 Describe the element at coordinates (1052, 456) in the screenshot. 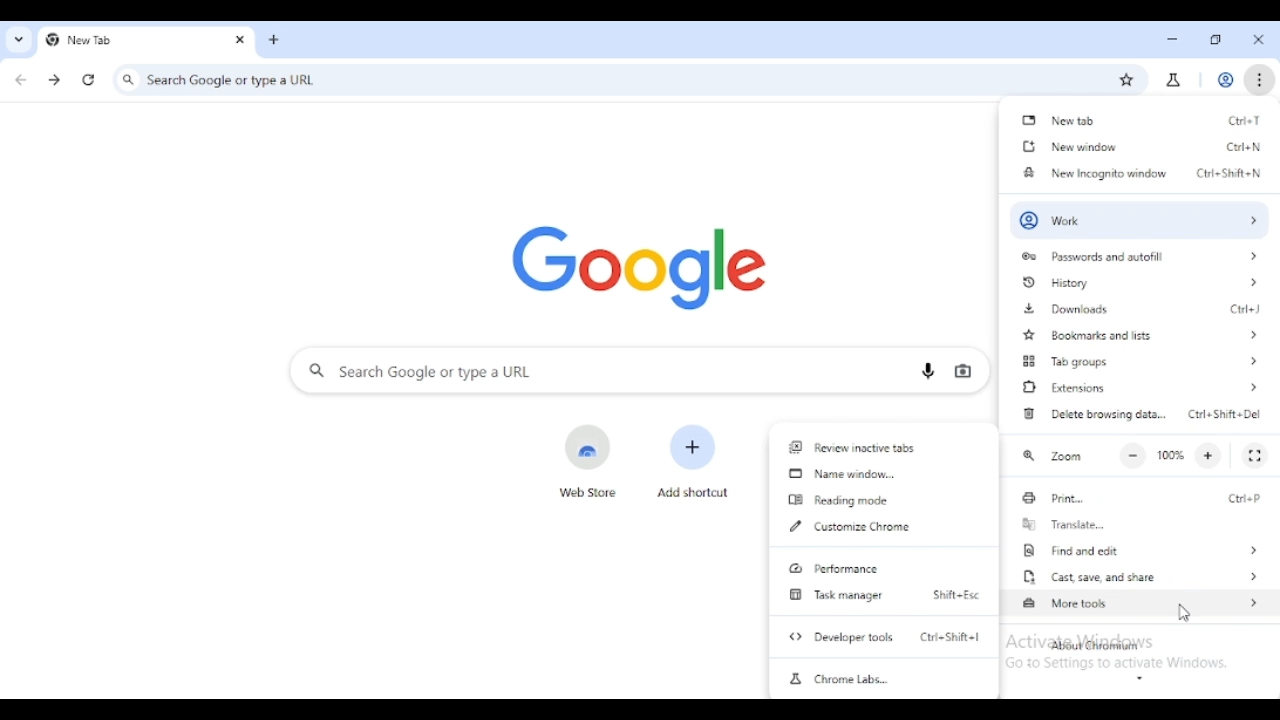

I see `zoom` at that location.